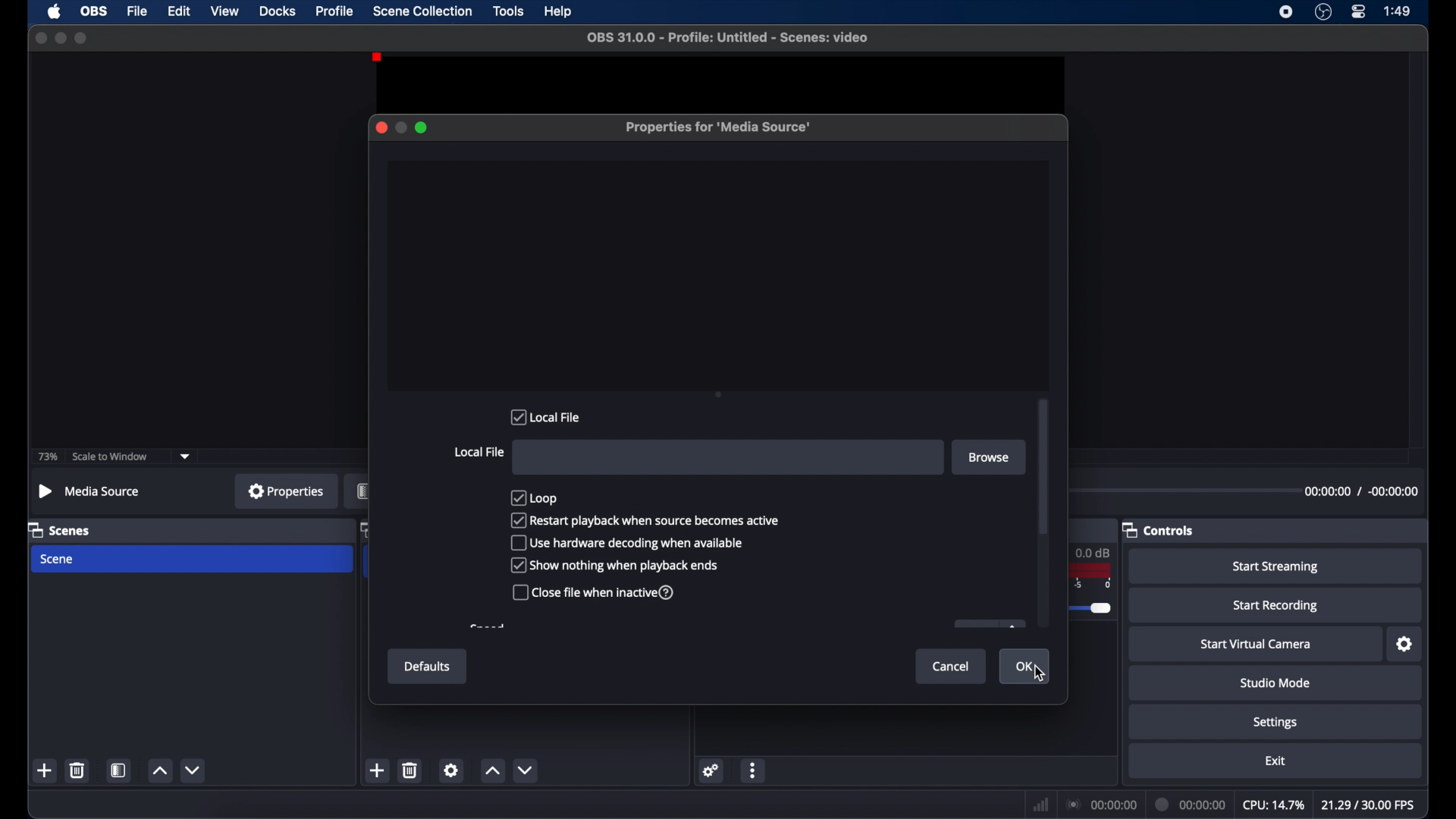 The height and width of the screenshot is (819, 1456). Describe the element at coordinates (77, 770) in the screenshot. I see `delete` at that location.